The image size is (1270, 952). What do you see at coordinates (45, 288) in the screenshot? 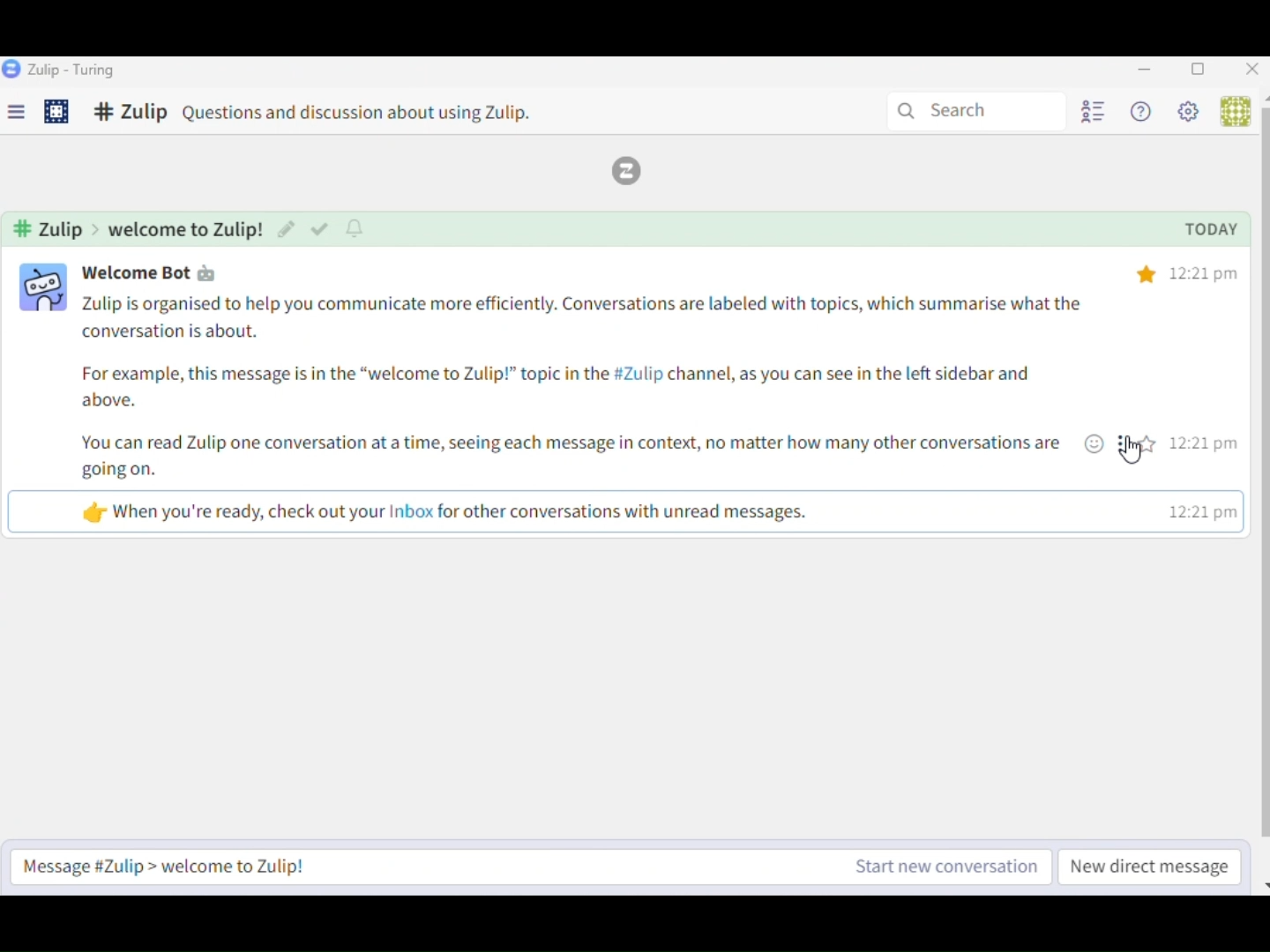
I see `user profile` at bounding box center [45, 288].